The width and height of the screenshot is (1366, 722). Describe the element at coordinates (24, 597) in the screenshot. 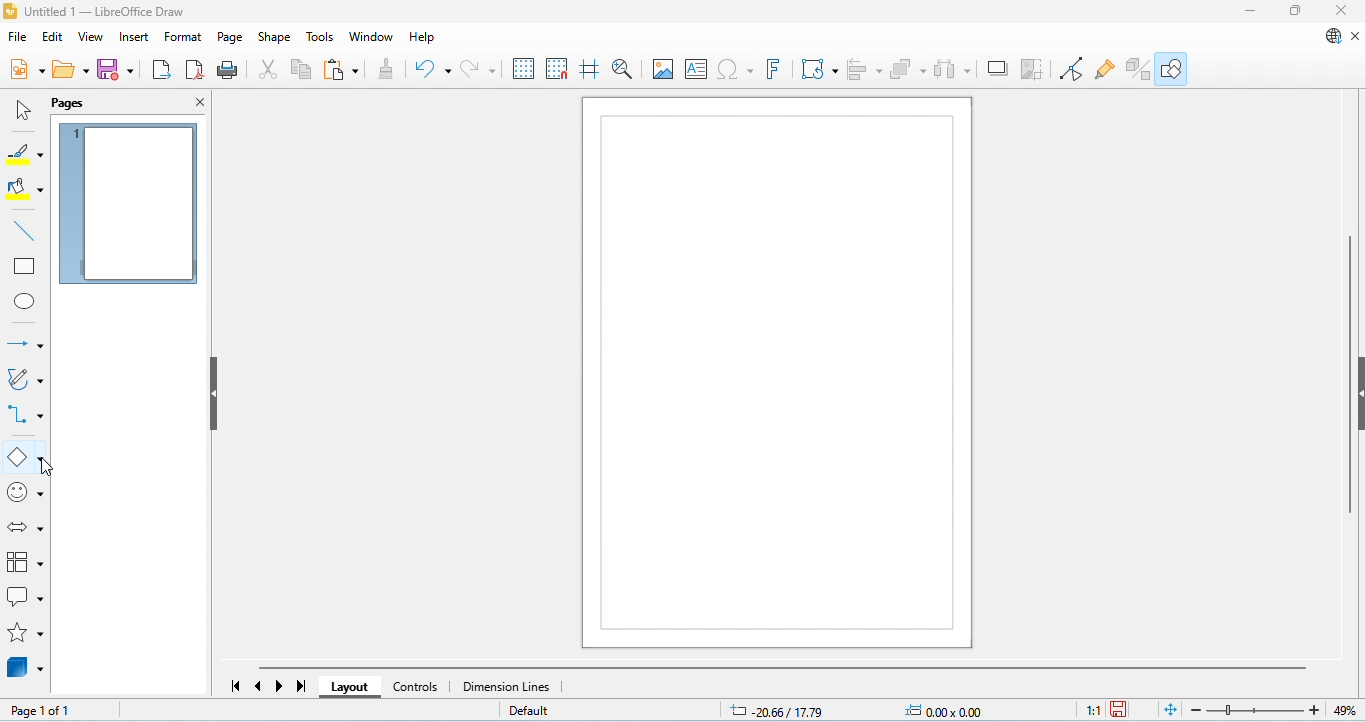

I see `callout shapes` at that location.